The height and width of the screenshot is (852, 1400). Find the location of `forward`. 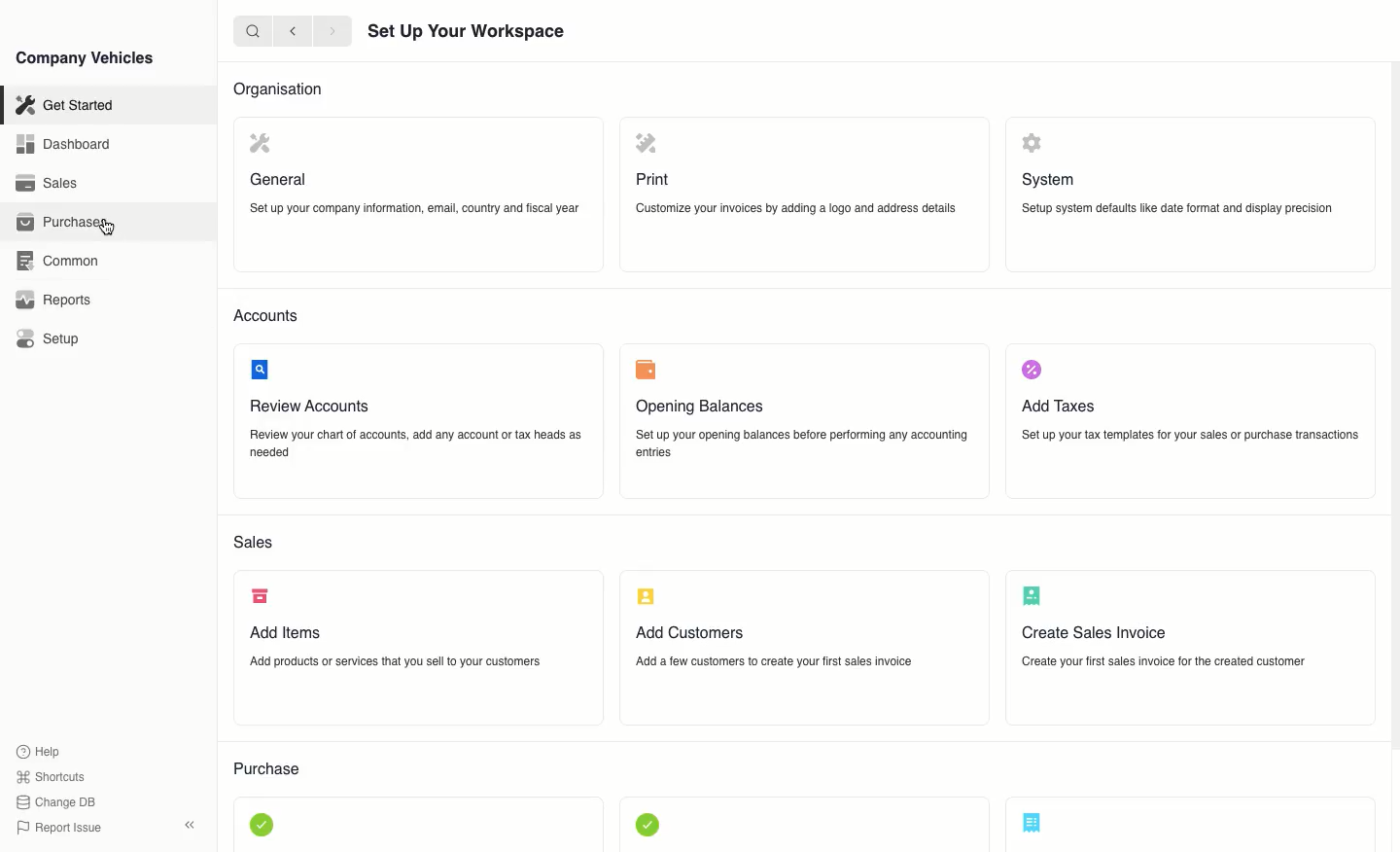

forward is located at coordinates (332, 32).